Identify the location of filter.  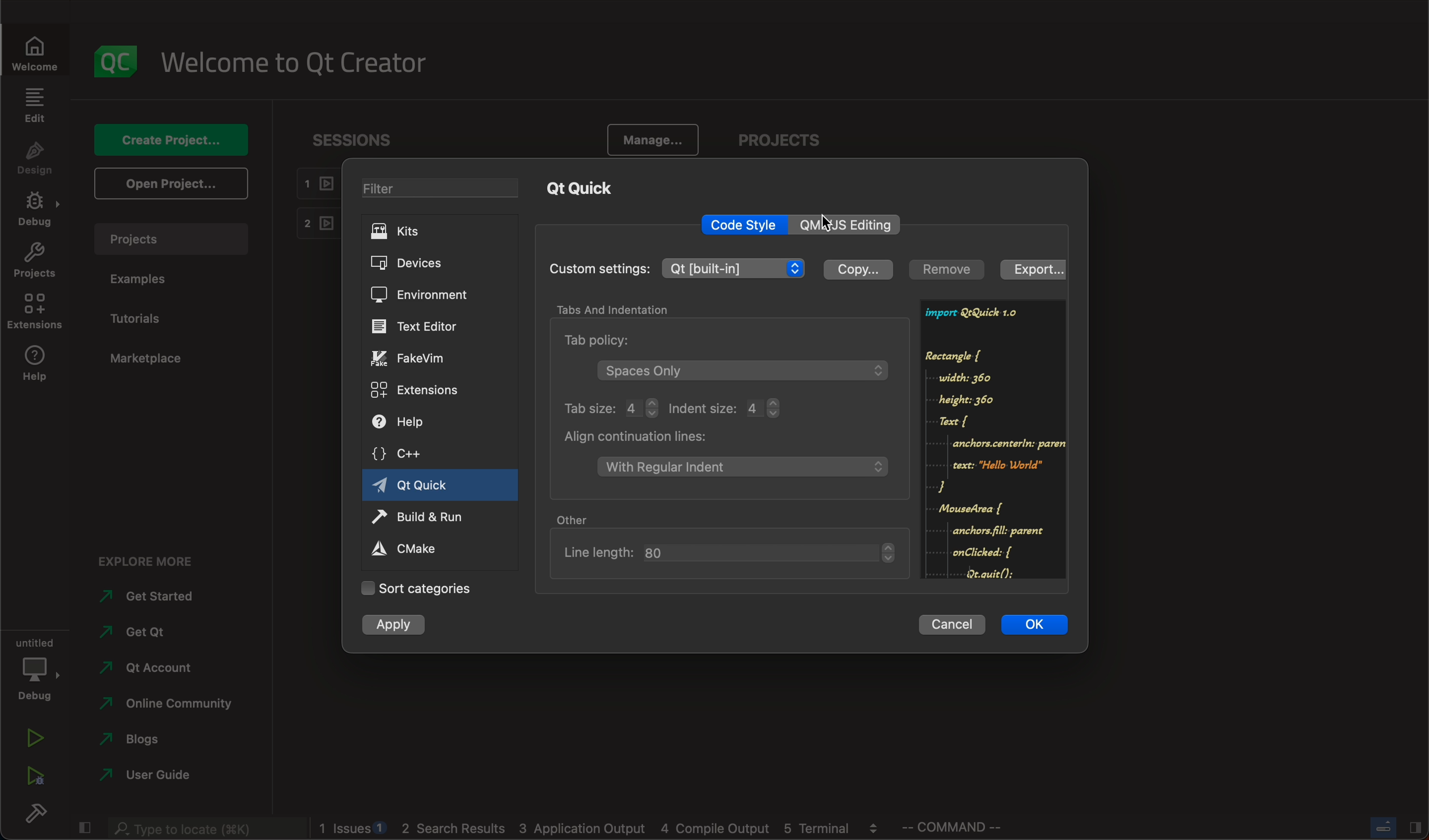
(444, 189).